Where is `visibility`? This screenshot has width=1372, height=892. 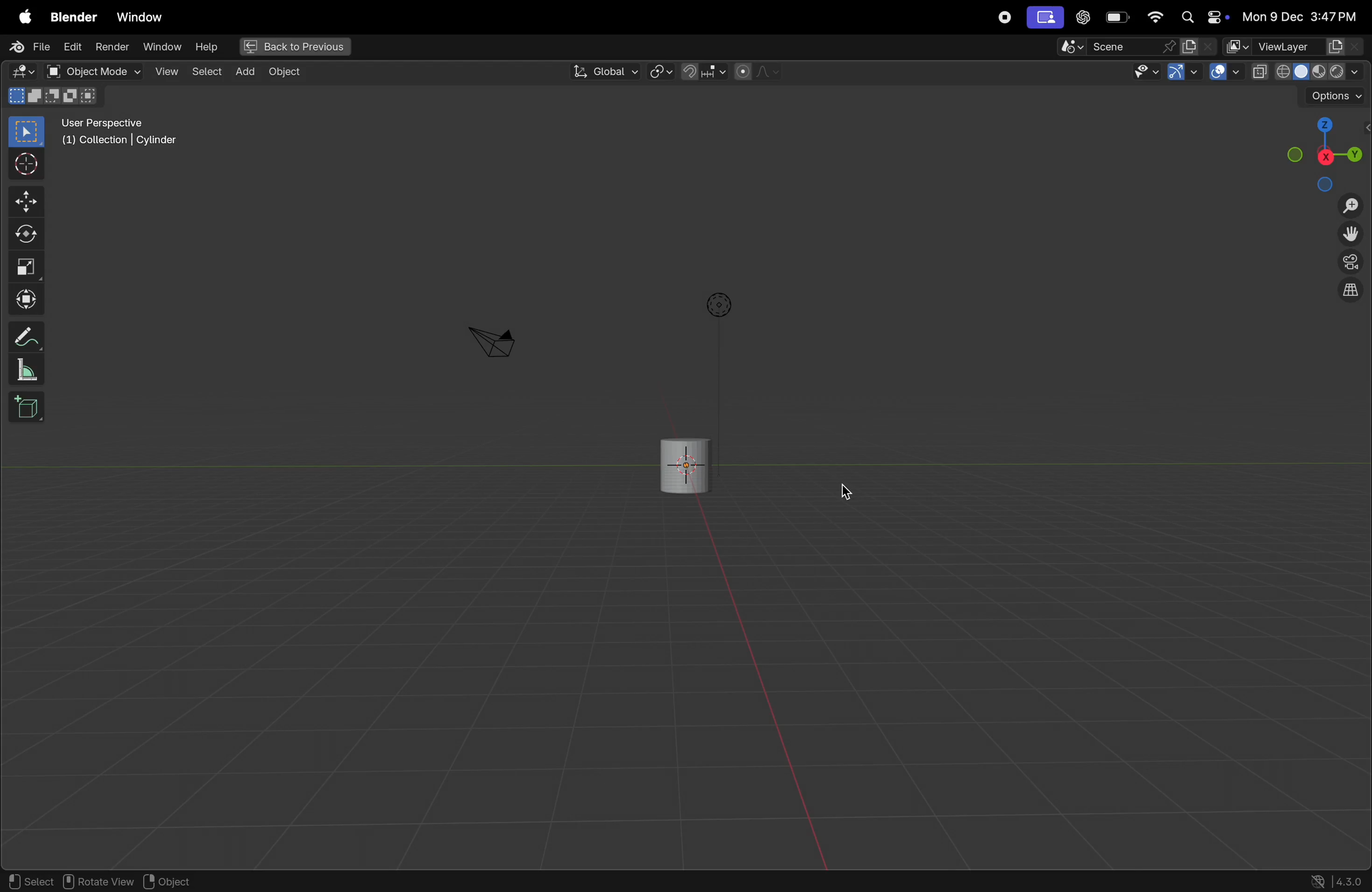 visibility is located at coordinates (1145, 72).